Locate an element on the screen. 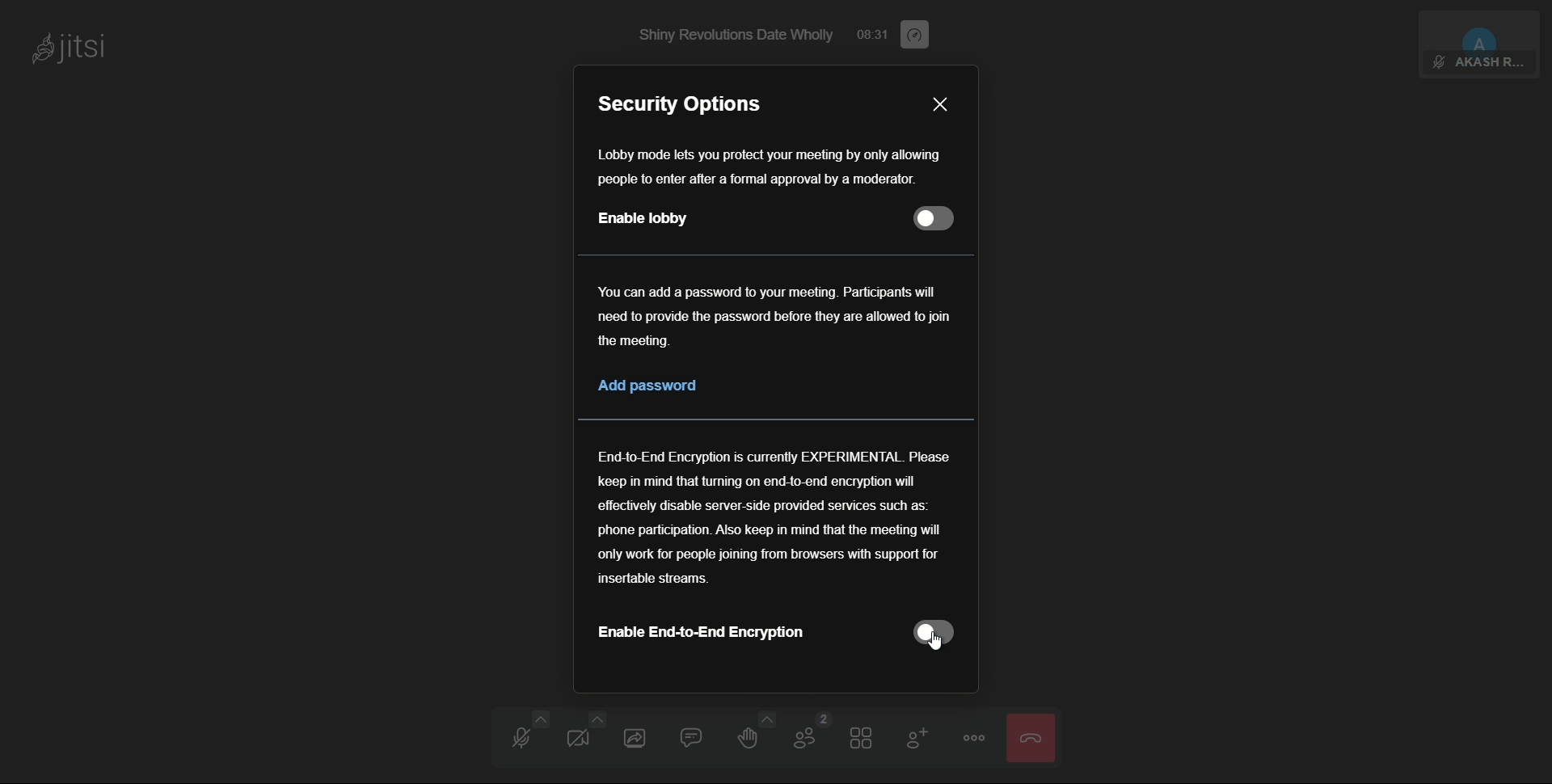 This screenshot has width=1552, height=784. Security Options is located at coordinates (688, 103).